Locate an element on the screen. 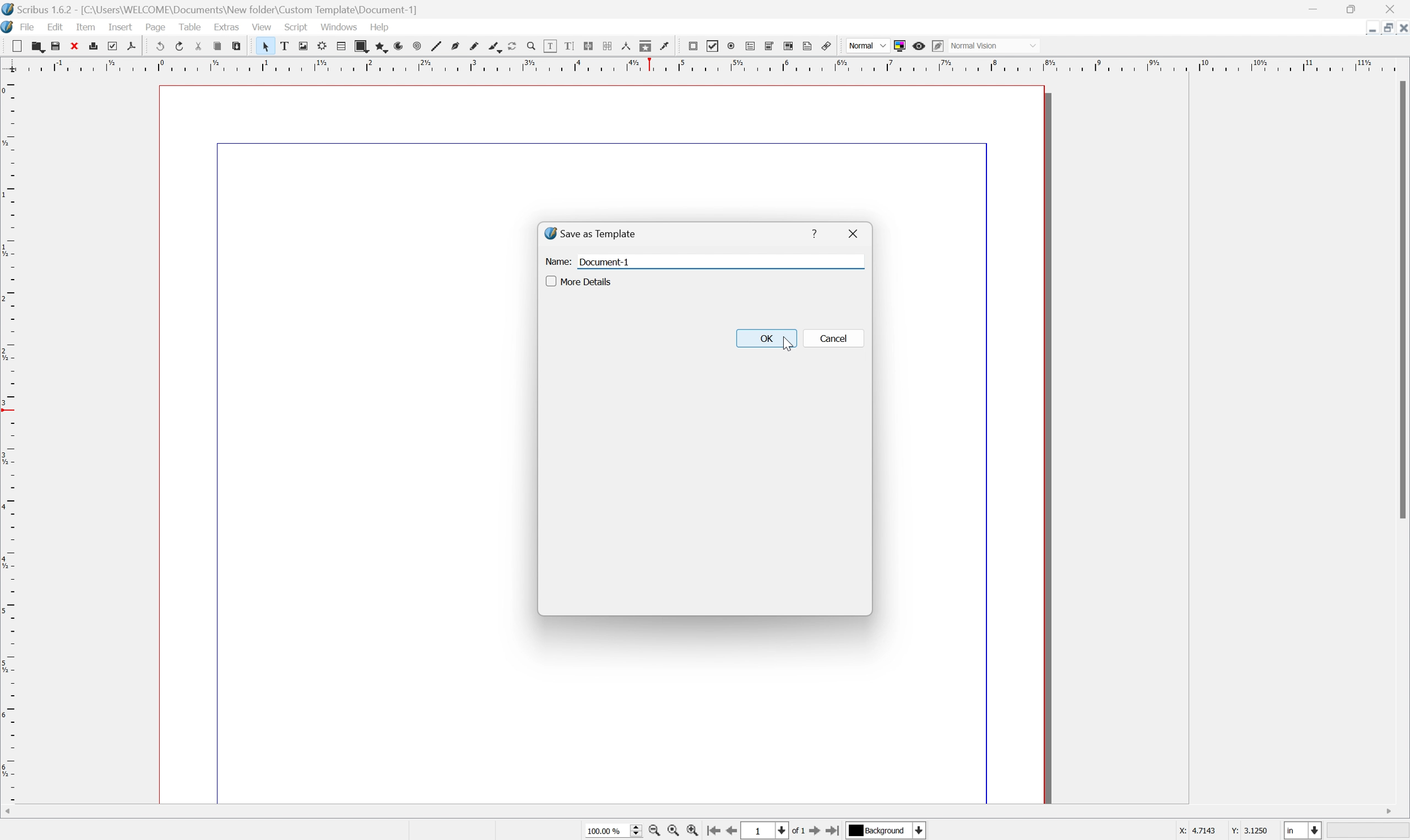 The width and height of the screenshot is (1410, 840). Go to previous page is located at coordinates (732, 832).